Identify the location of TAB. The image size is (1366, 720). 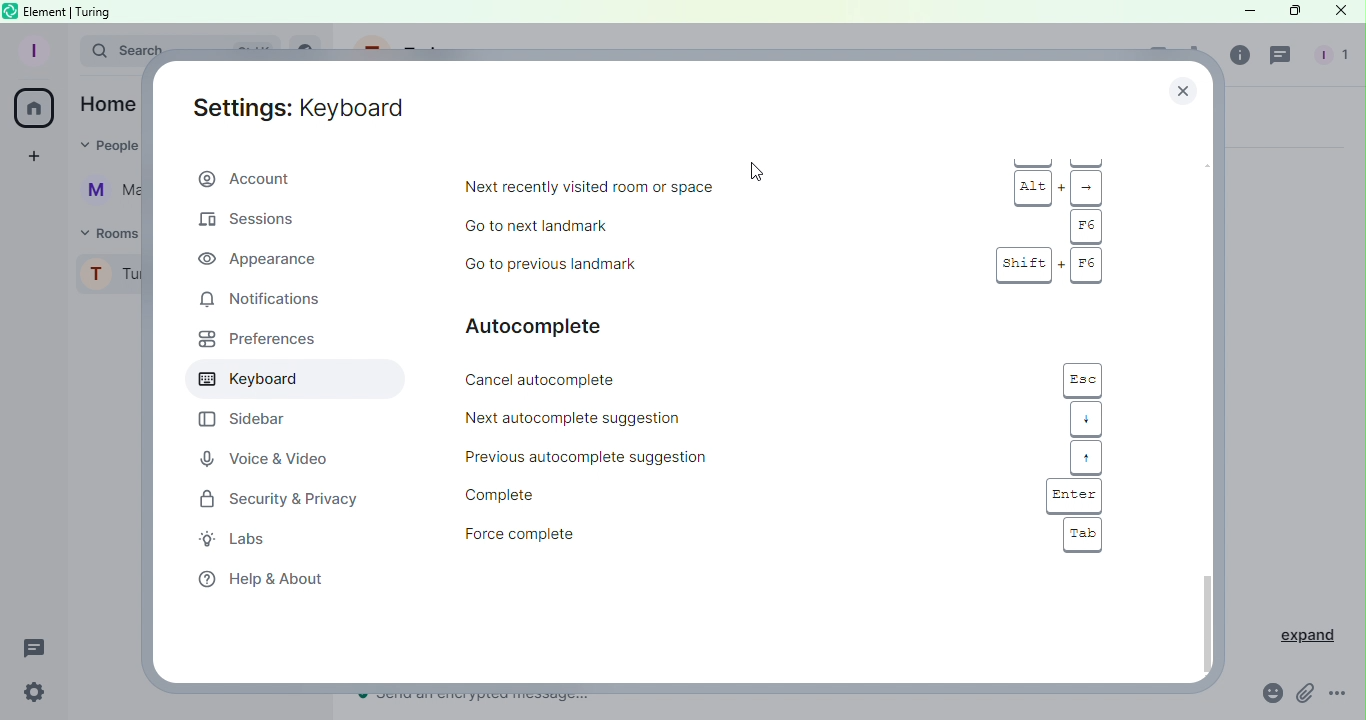
(1083, 534).